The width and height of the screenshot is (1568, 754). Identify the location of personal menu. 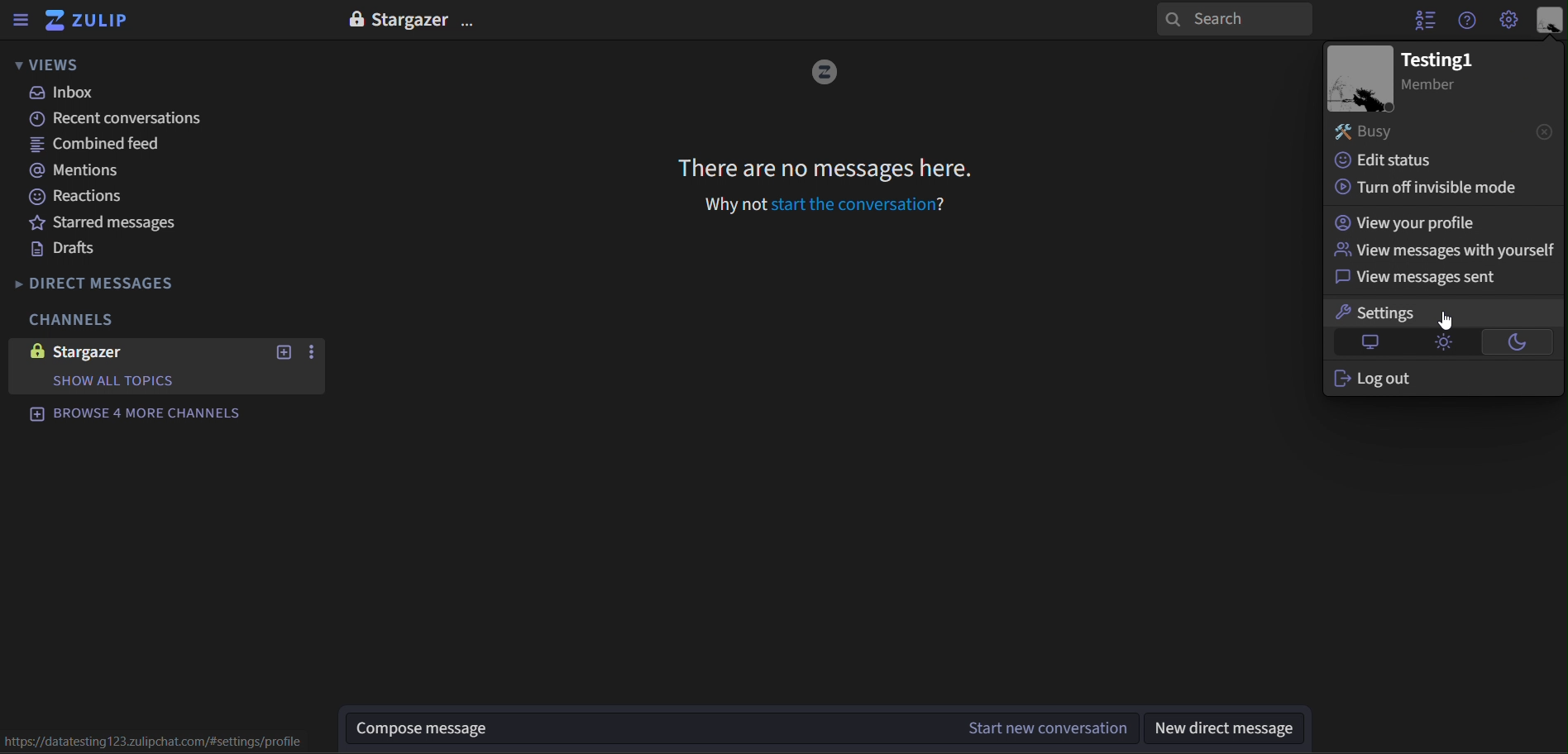
(1548, 20).